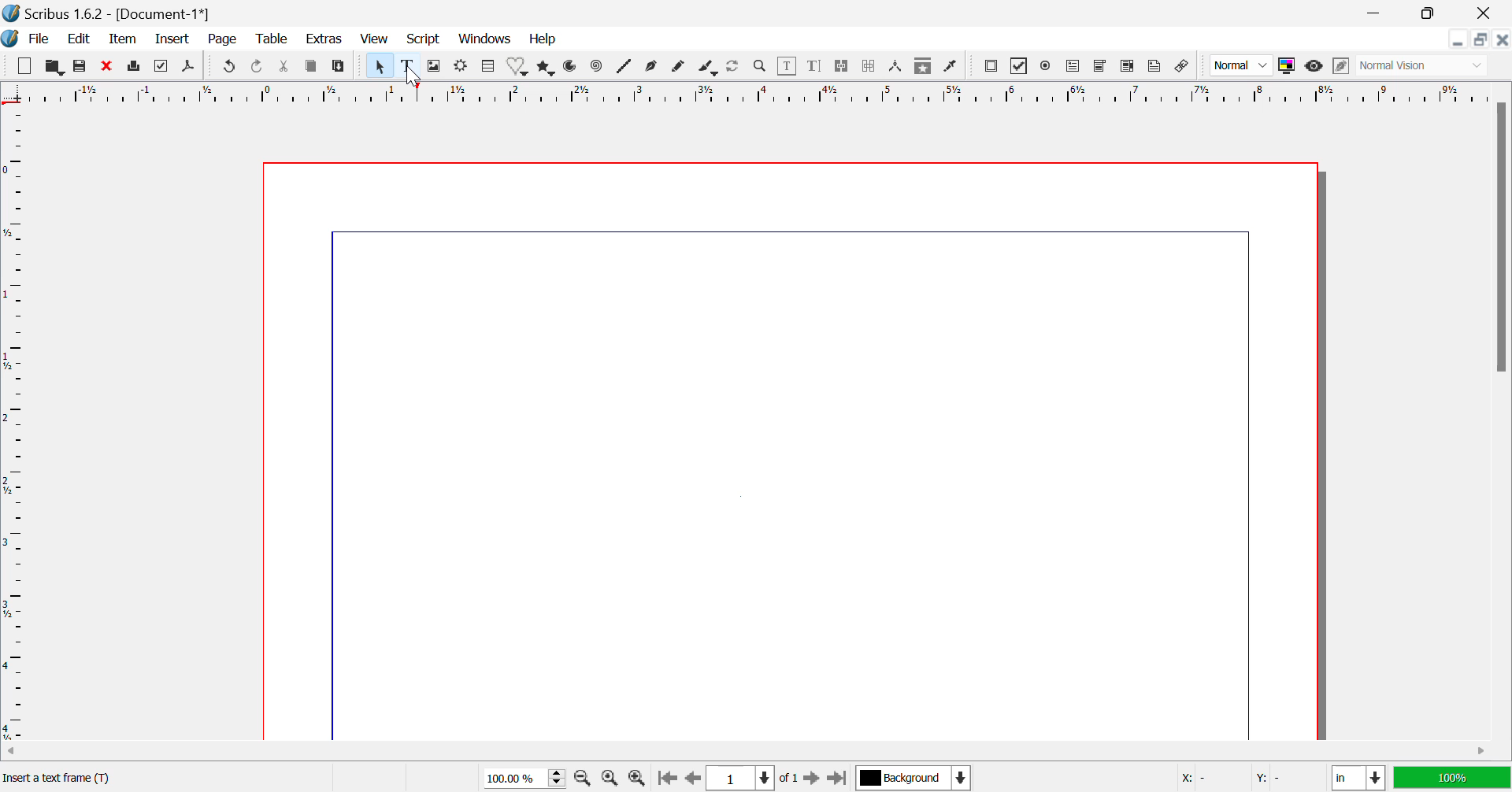 This screenshot has height=792, width=1512. What do you see at coordinates (228, 68) in the screenshot?
I see `Undo` at bounding box center [228, 68].